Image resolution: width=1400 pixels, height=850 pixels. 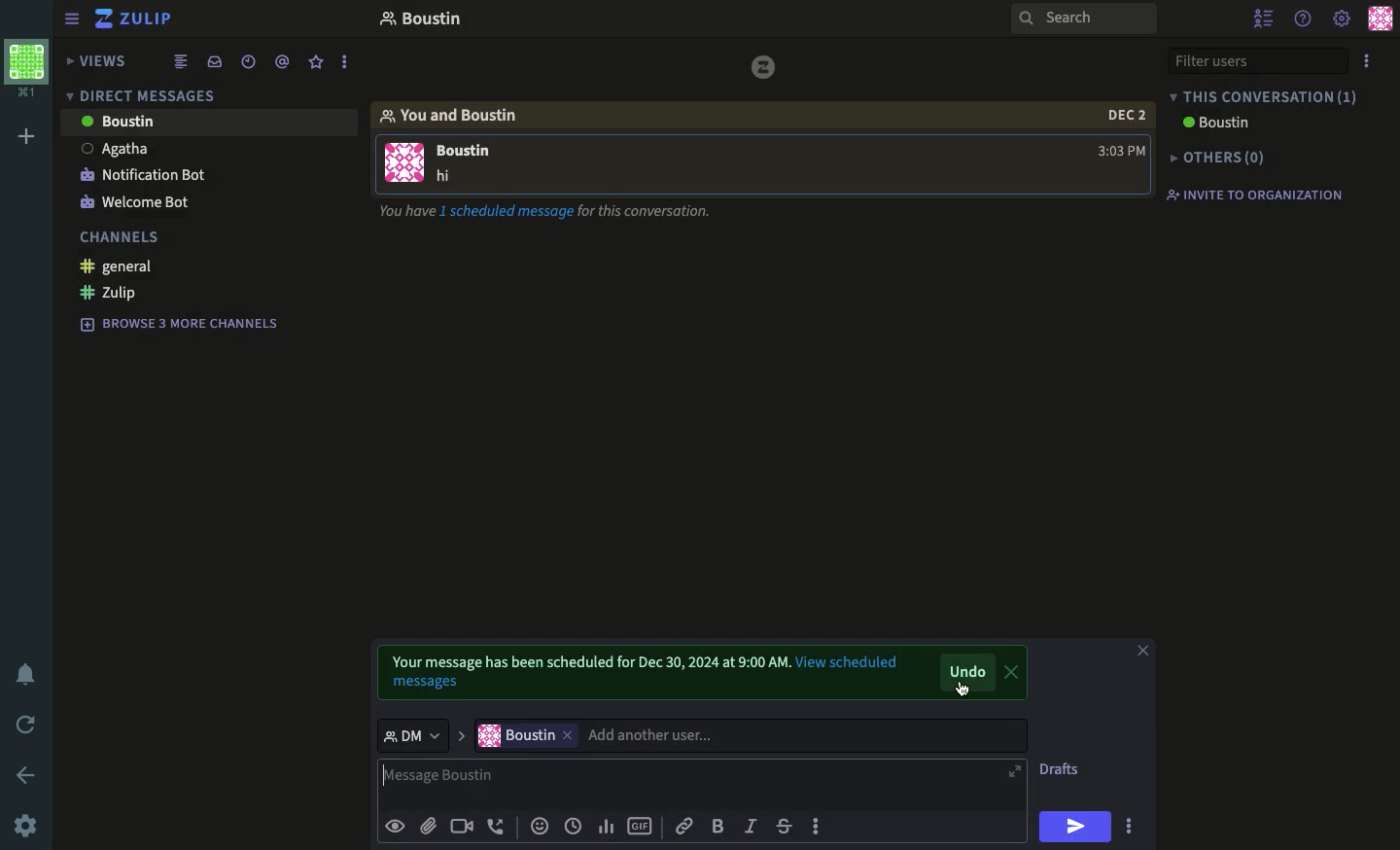 I want to click on time 3:03 PM, so click(x=1116, y=151).